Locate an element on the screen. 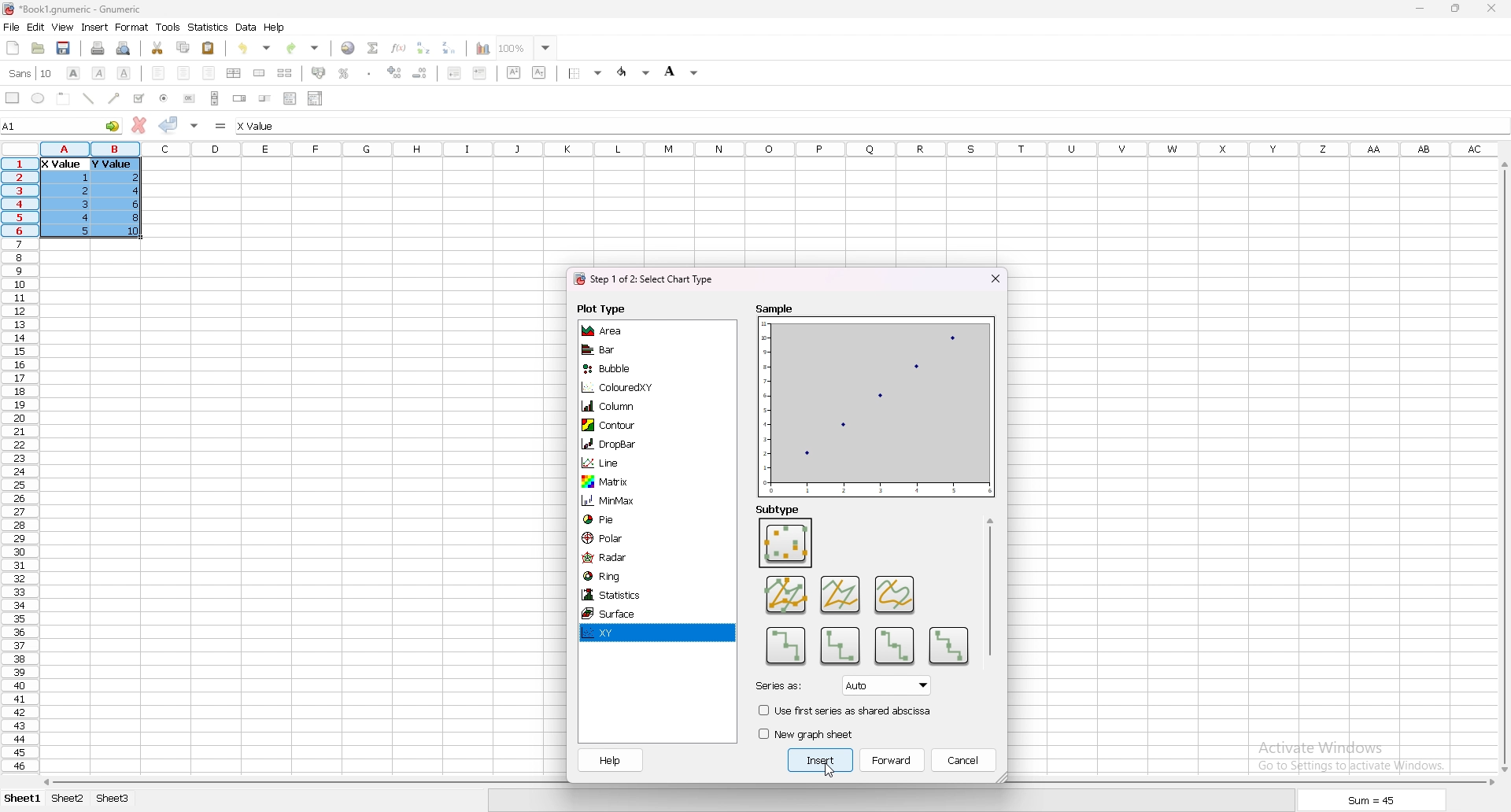 The height and width of the screenshot is (812, 1511). cancel change is located at coordinates (140, 125).